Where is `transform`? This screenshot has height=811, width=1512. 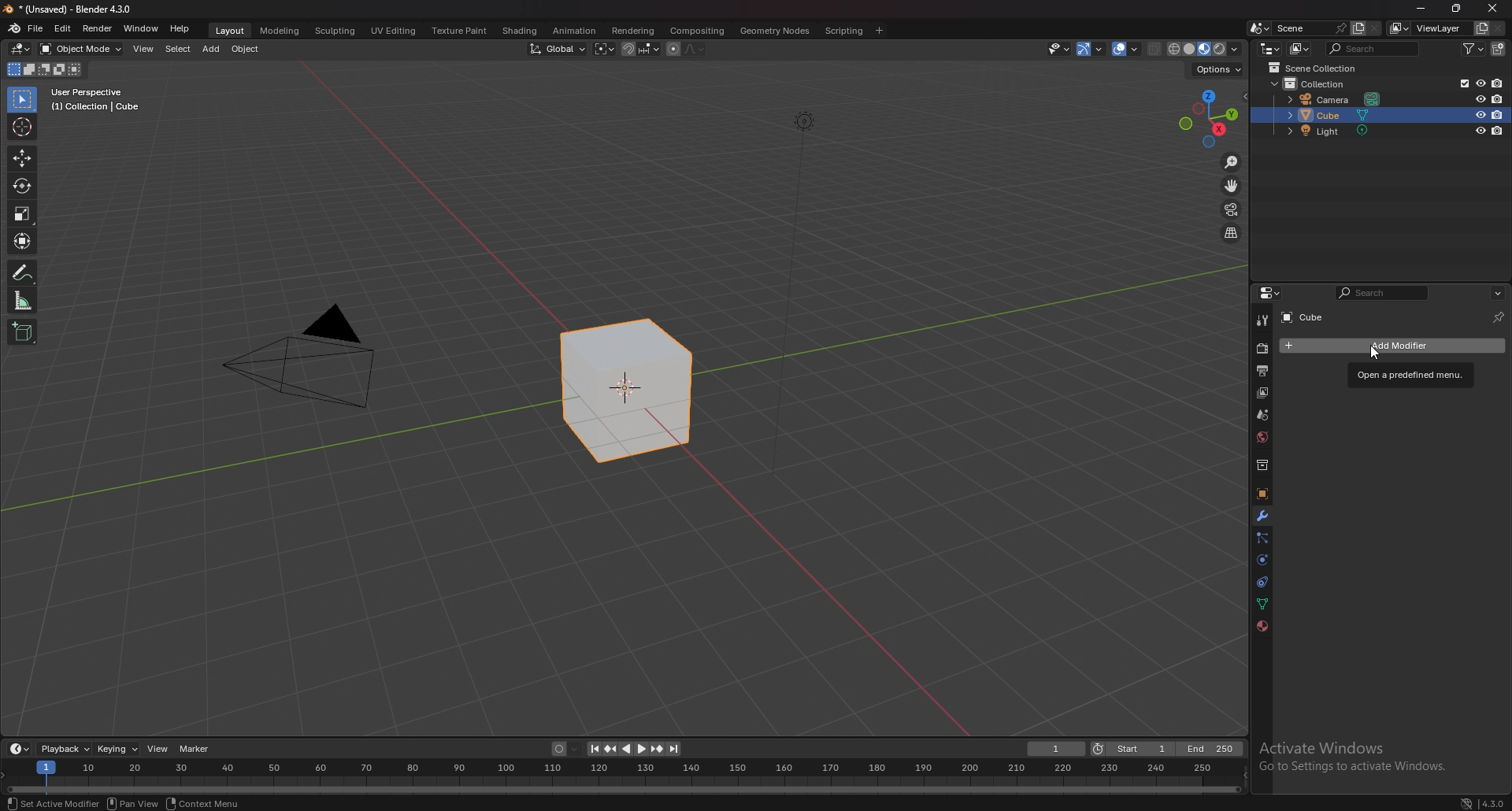
transform is located at coordinates (23, 242).